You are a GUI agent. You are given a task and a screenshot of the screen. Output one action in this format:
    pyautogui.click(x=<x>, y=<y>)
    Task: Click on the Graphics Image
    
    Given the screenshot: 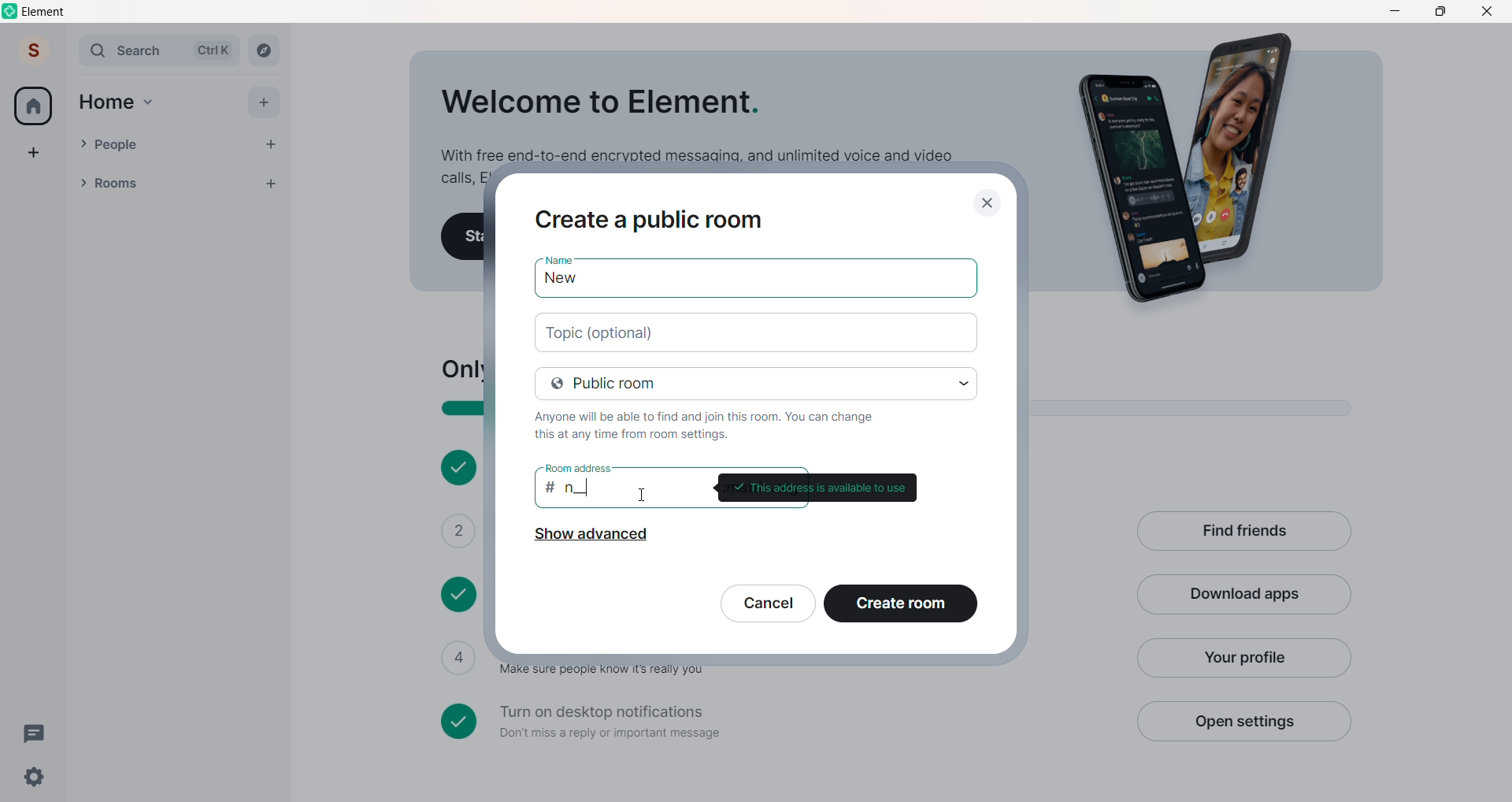 What is the action you would take?
    pyautogui.click(x=1194, y=169)
    